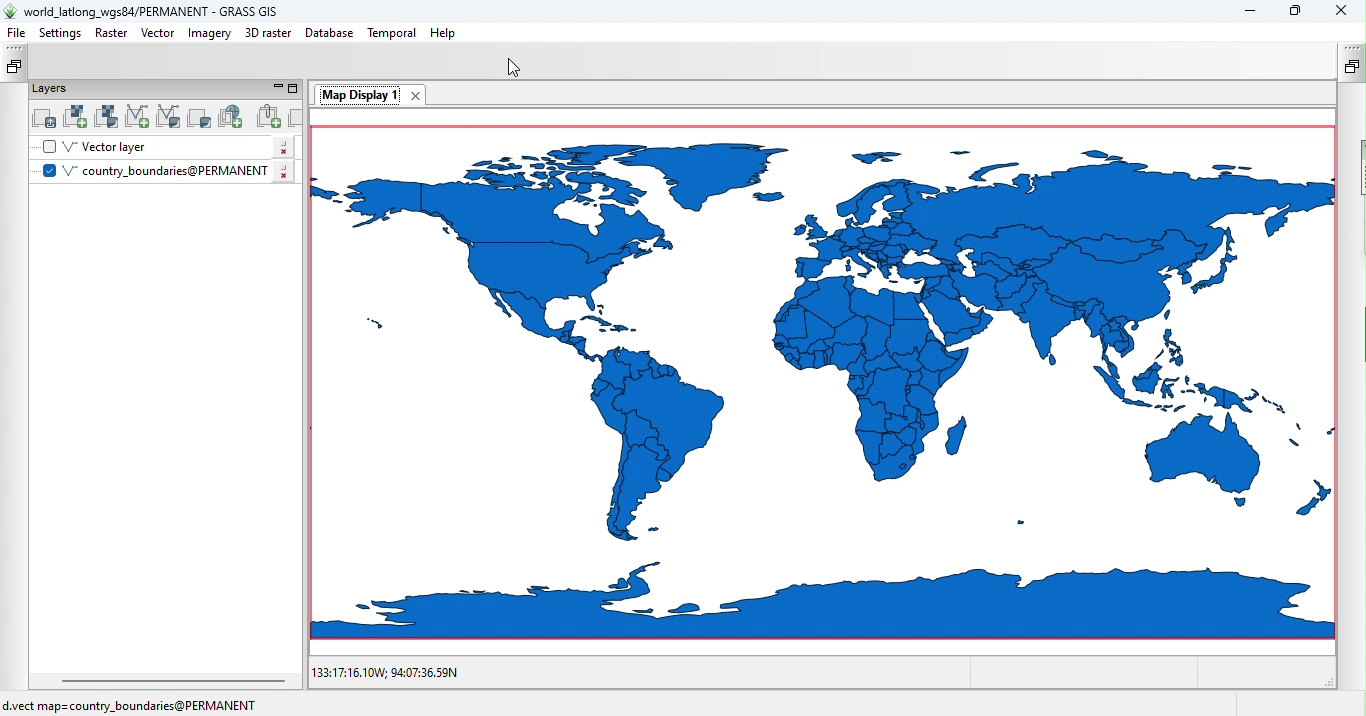  I want to click on Cursor, so click(508, 67).